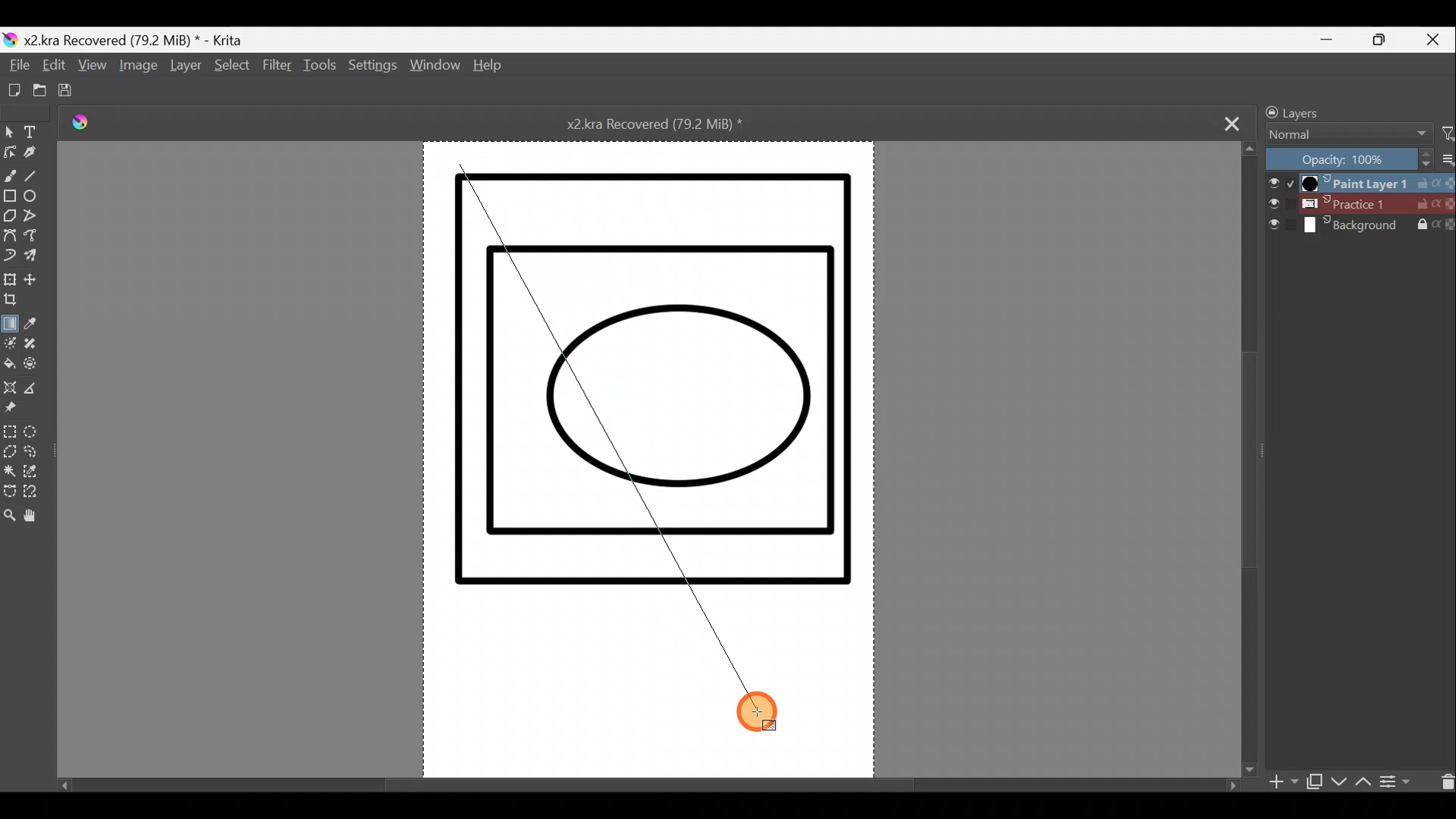  Describe the element at coordinates (185, 68) in the screenshot. I see `Layer` at that location.